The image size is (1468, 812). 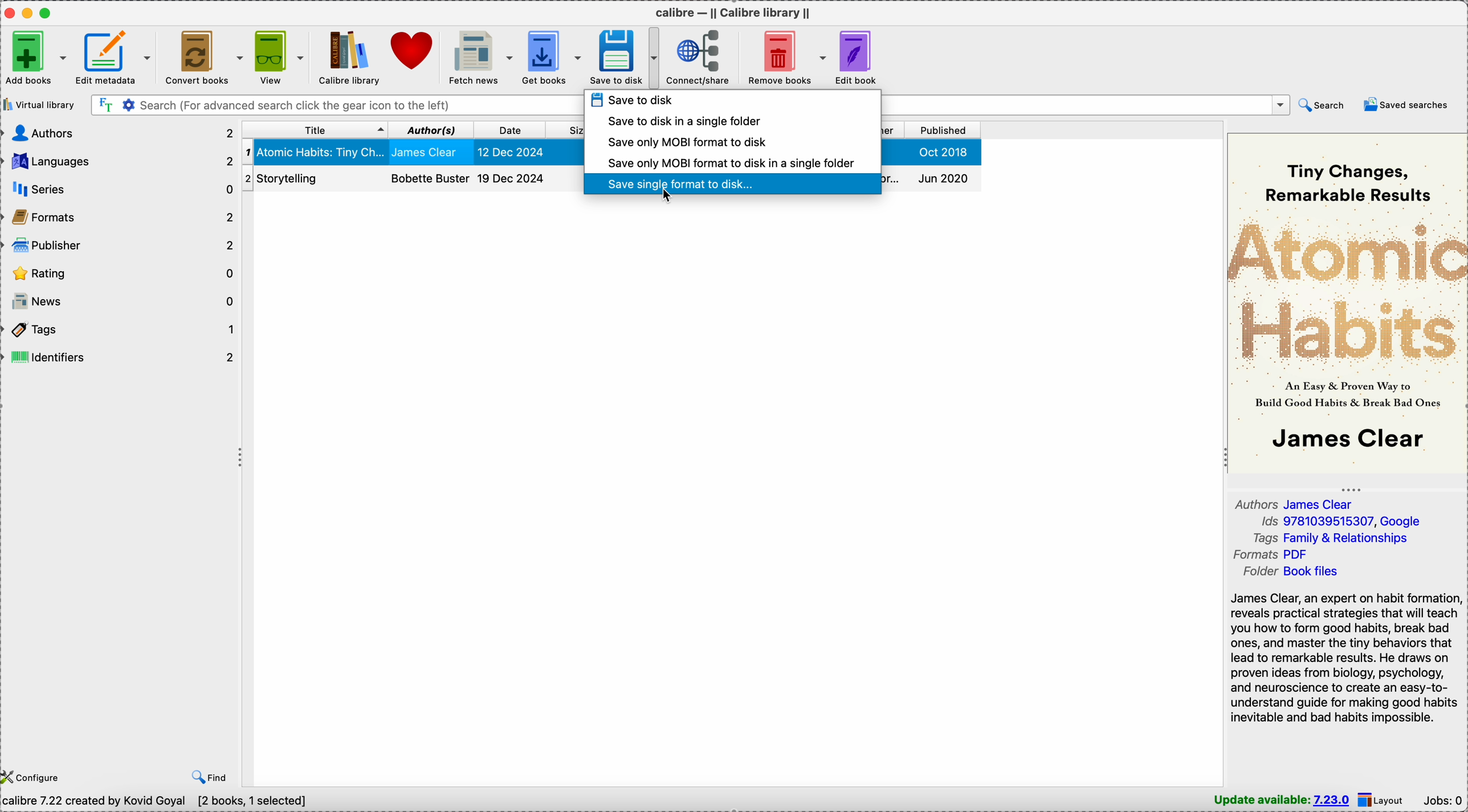 What do you see at coordinates (549, 56) in the screenshot?
I see `get books` at bounding box center [549, 56].